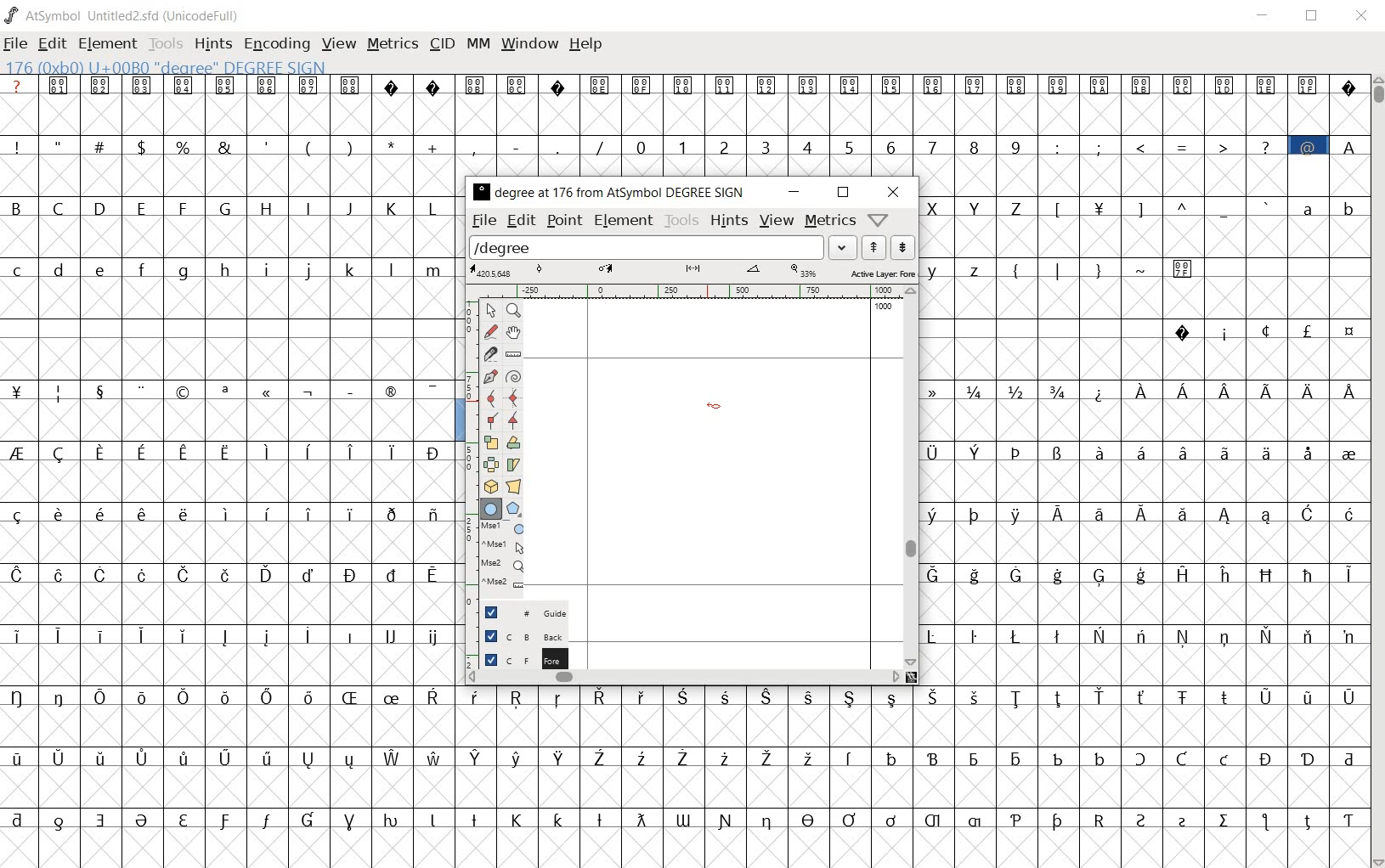 The height and width of the screenshot is (868, 1385). Describe the element at coordinates (958, 85) in the screenshot. I see `unicode code points` at that location.